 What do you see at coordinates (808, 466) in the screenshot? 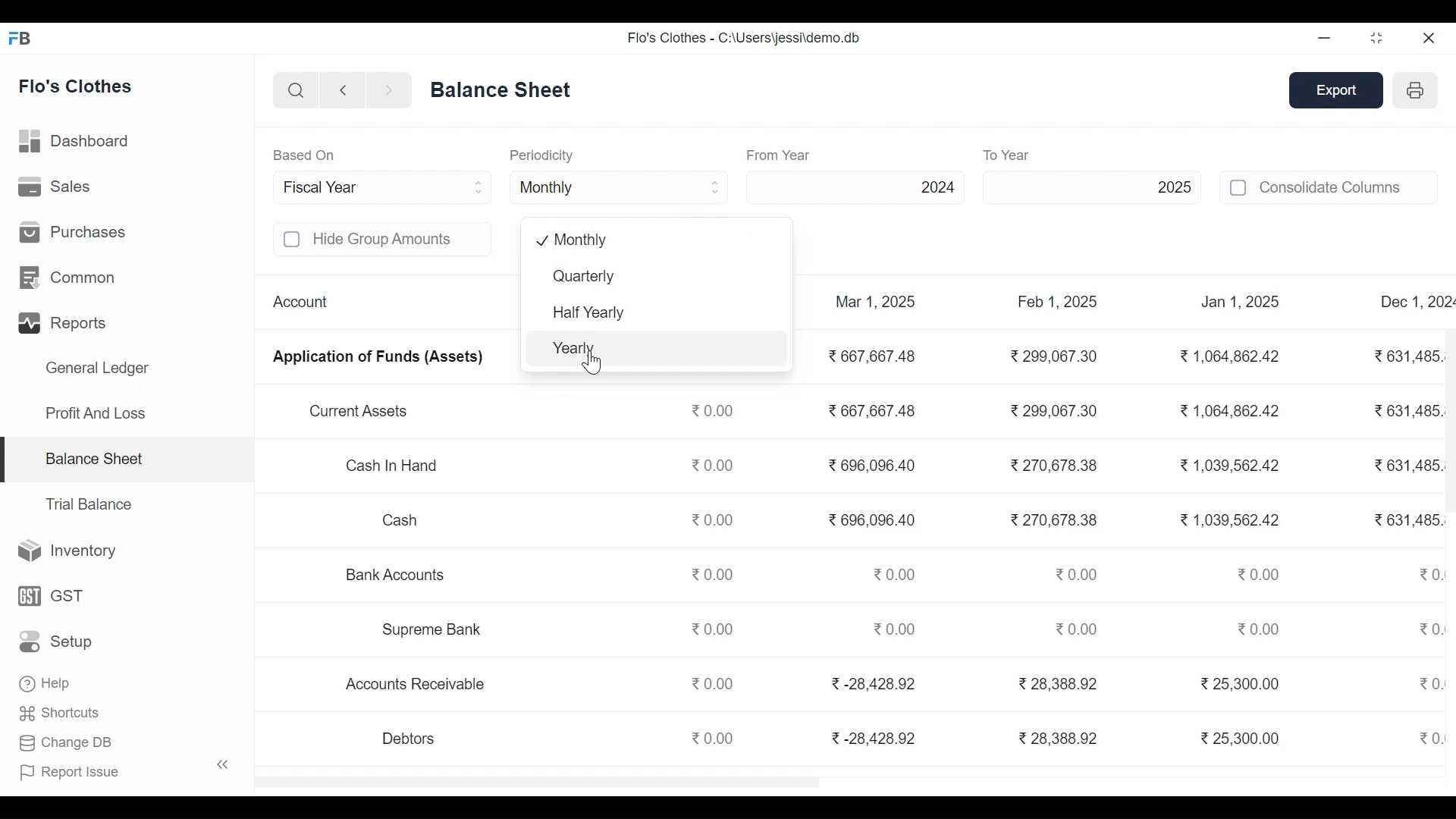
I see `Cash In Hand 0.00 3 696,096.40 %270,678.38 %1,039,562.42` at bounding box center [808, 466].